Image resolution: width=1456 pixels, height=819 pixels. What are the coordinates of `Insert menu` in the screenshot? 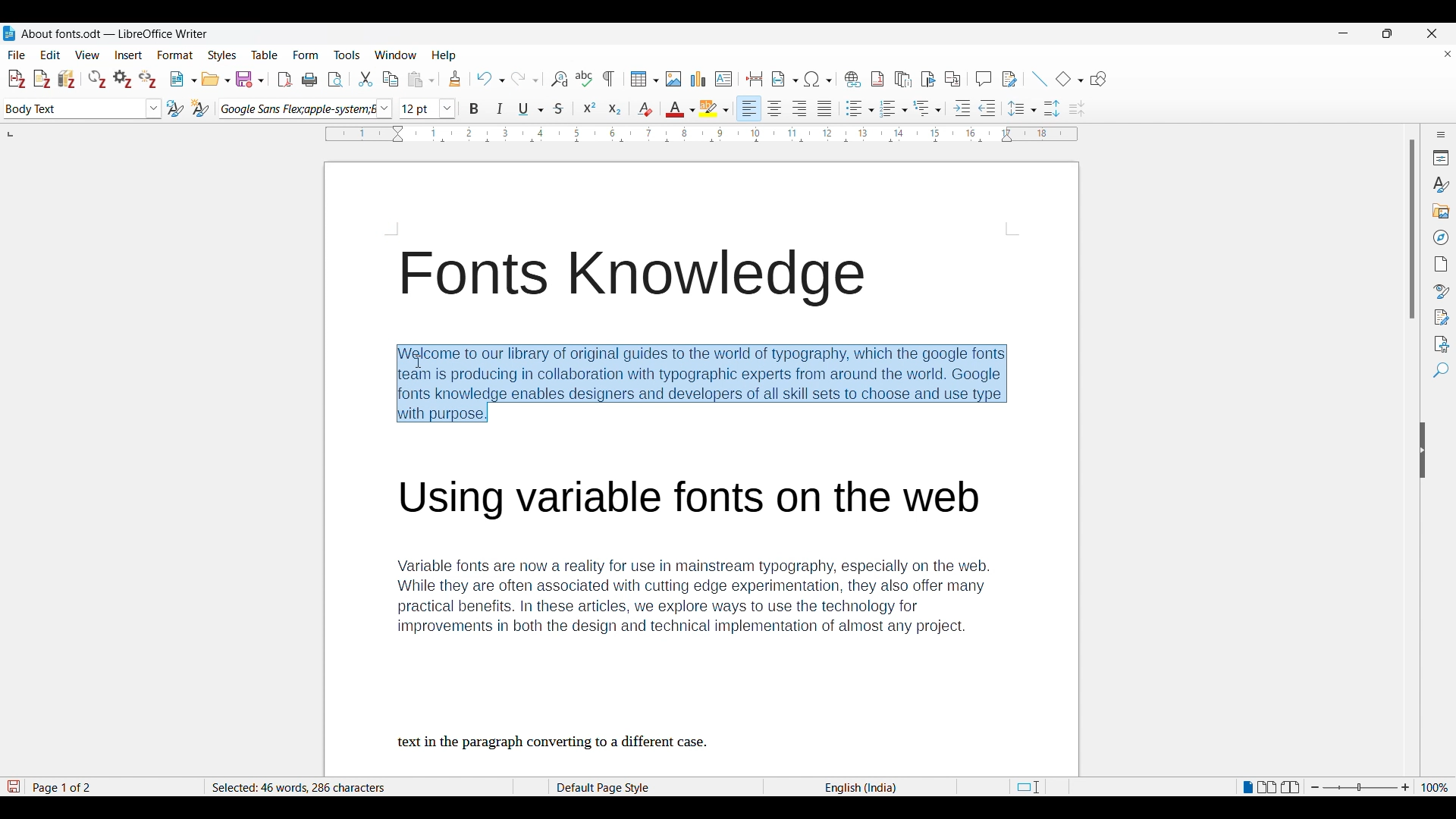 It's located at (128, 55).